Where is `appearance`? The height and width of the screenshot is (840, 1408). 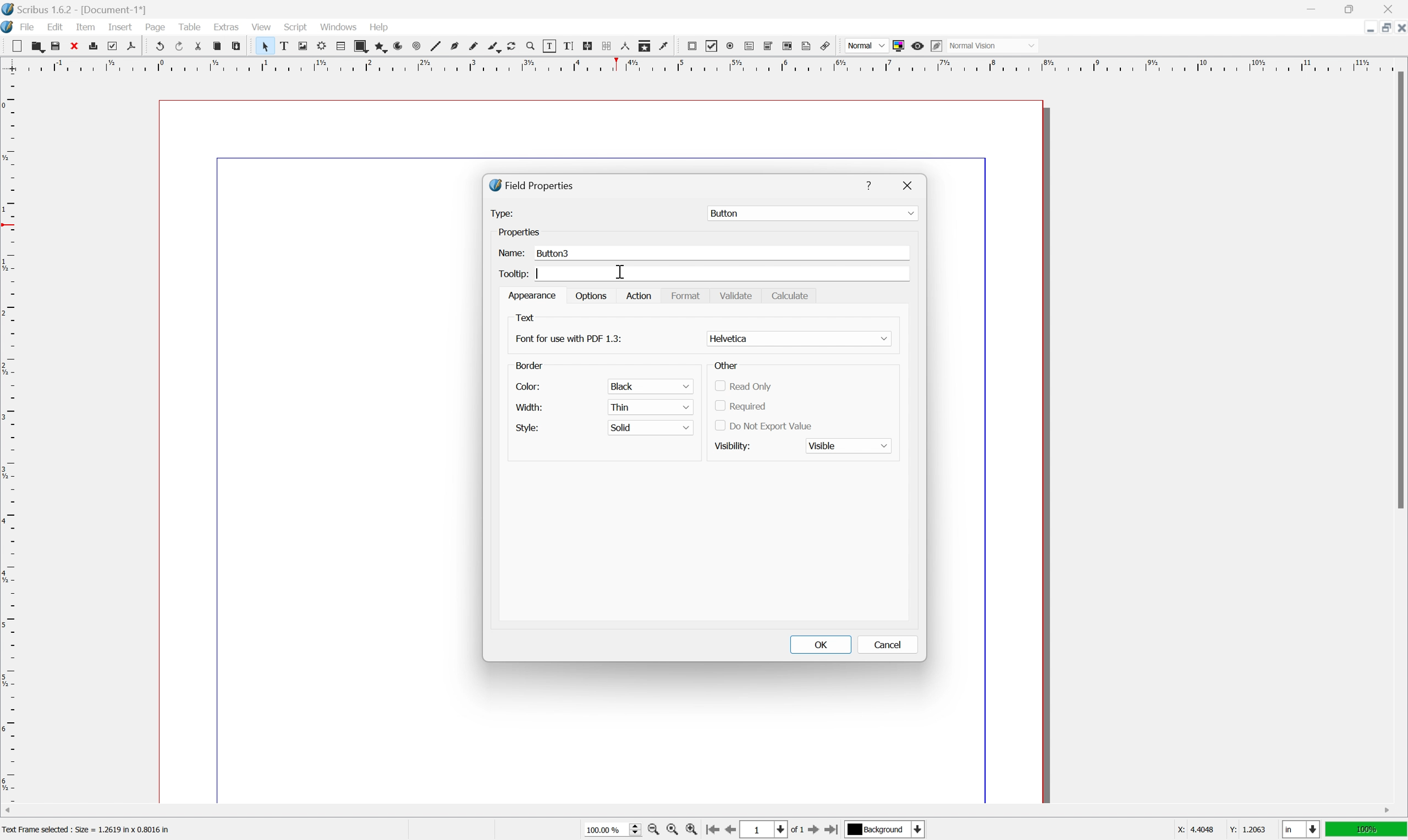 appearance is located at coordinates (533, 295).